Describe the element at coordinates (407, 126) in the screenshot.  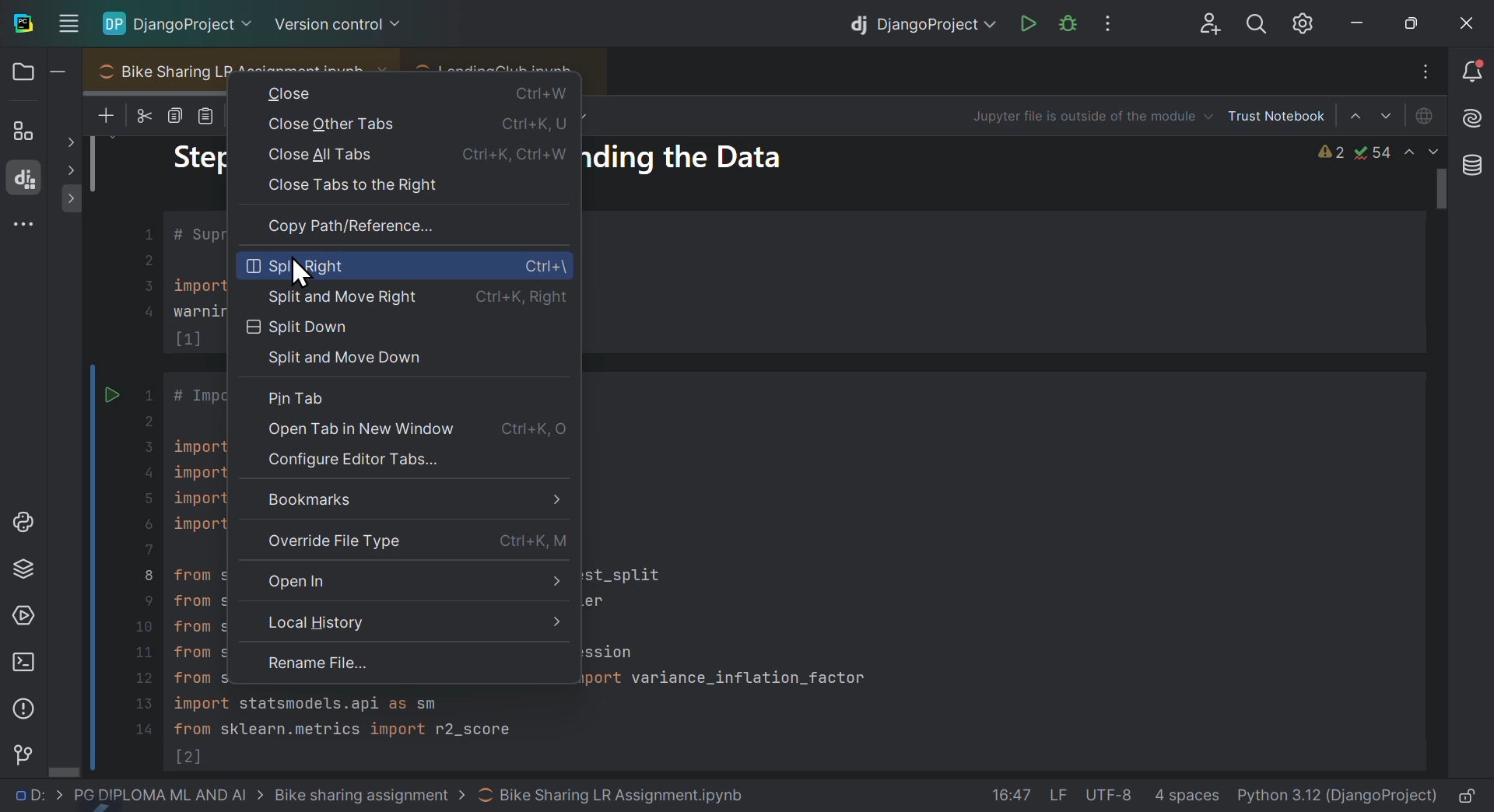
I see `Close other tabs` at that location.